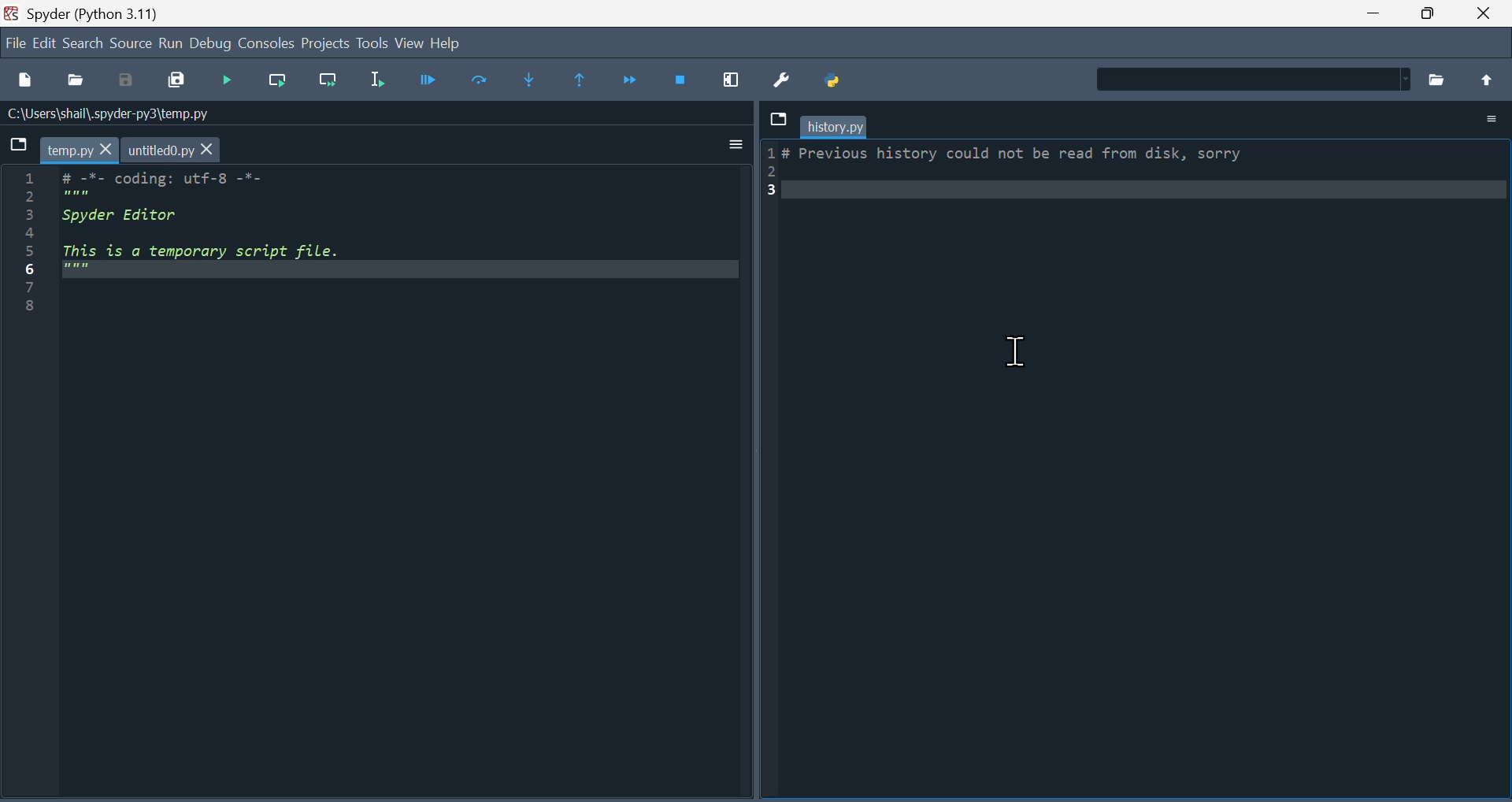 The height and width of the screenshot is (802, 1512). I want to click on Help, so click(449, 43).